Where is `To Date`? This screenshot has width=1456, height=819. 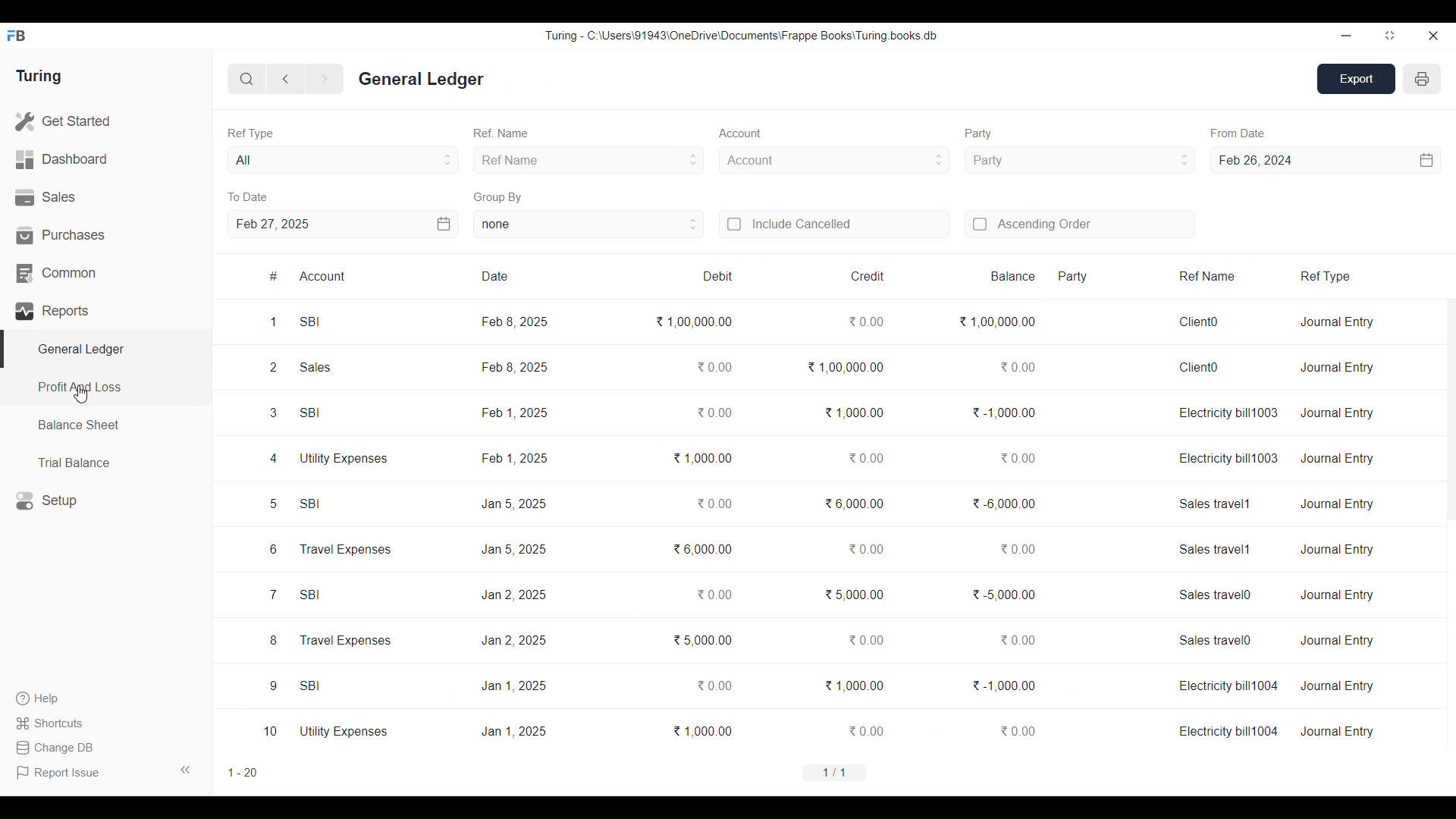 To Date is located at coordinates (247, 197).